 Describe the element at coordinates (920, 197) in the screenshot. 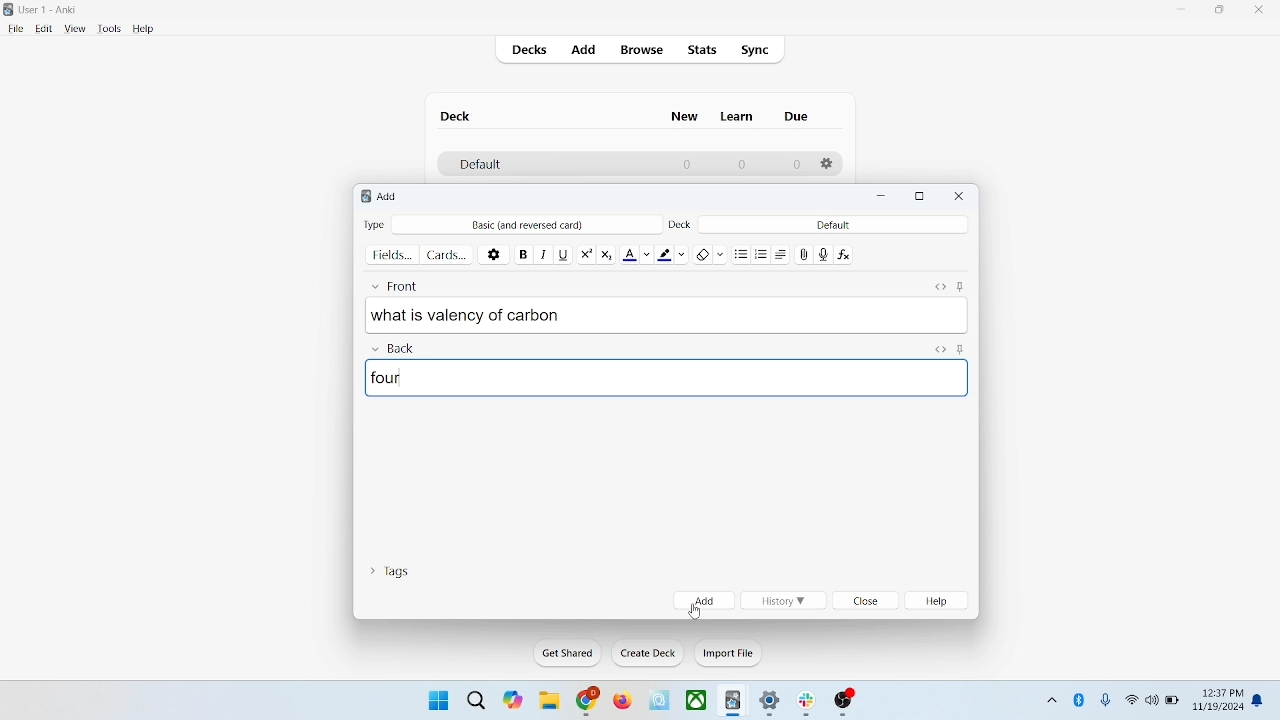

I see `maximize` at that location.